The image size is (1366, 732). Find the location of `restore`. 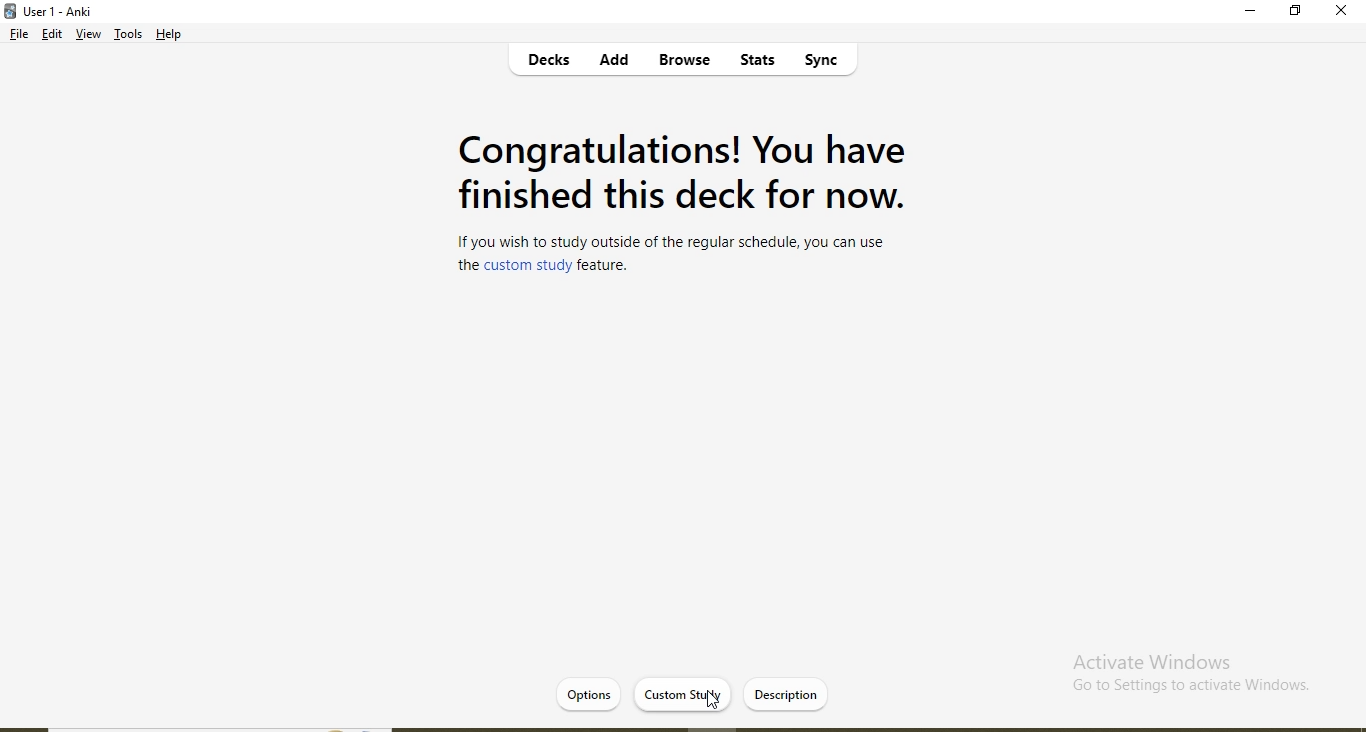

restore is located at coordinates (1295, 13).